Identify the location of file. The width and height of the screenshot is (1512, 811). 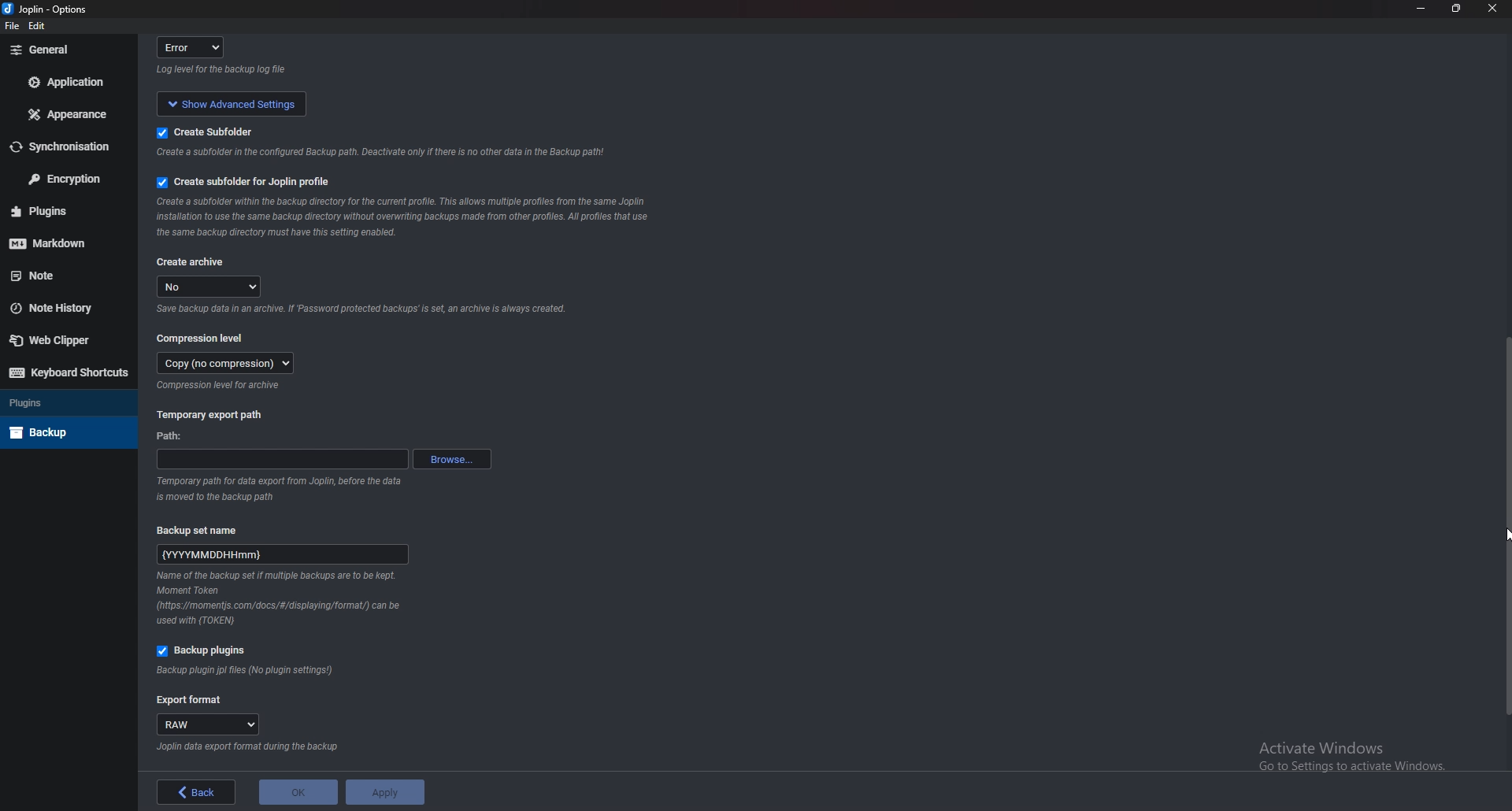
(13, 27).